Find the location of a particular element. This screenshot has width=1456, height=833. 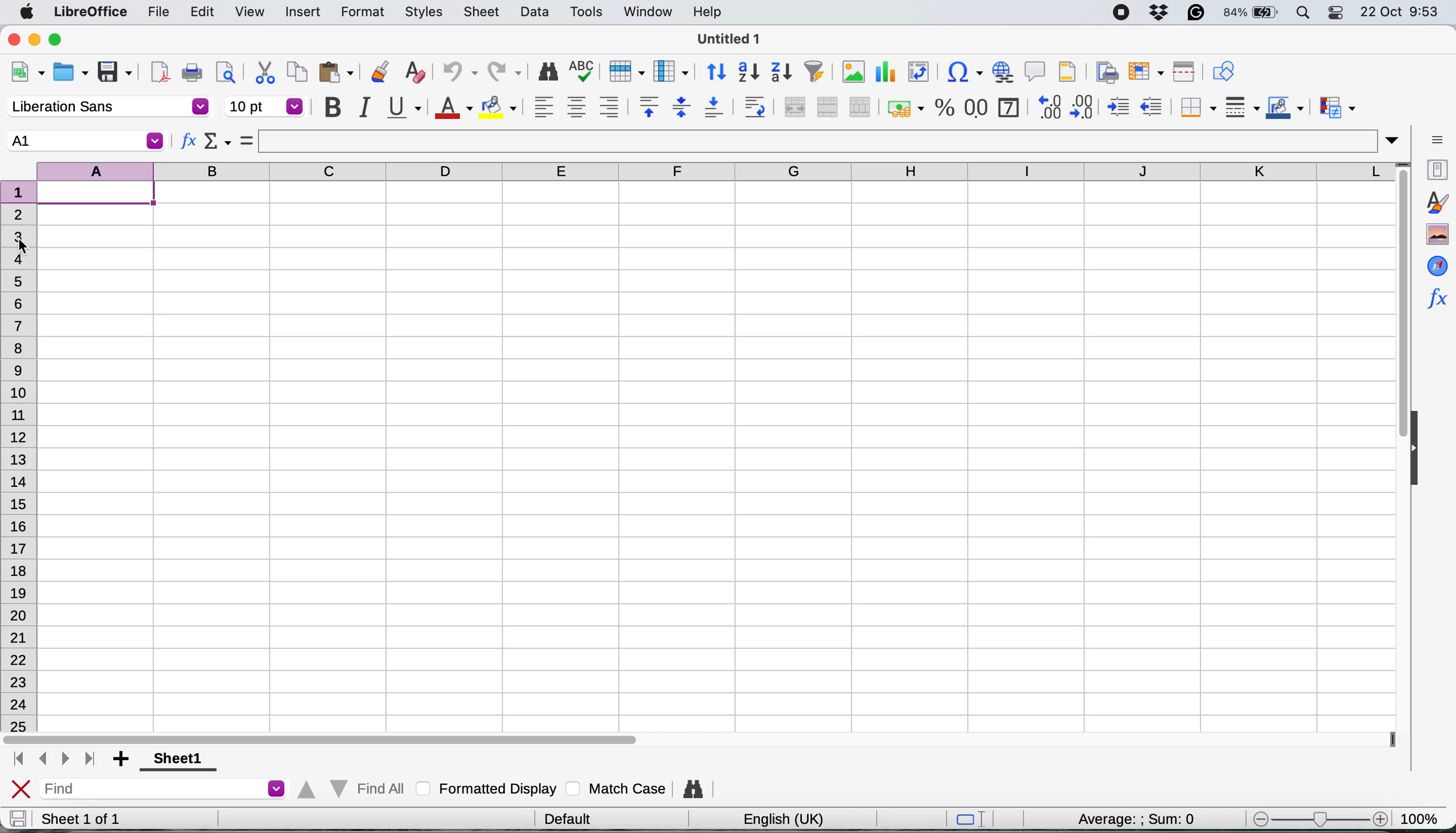

format is located at coordinates (363, 13).